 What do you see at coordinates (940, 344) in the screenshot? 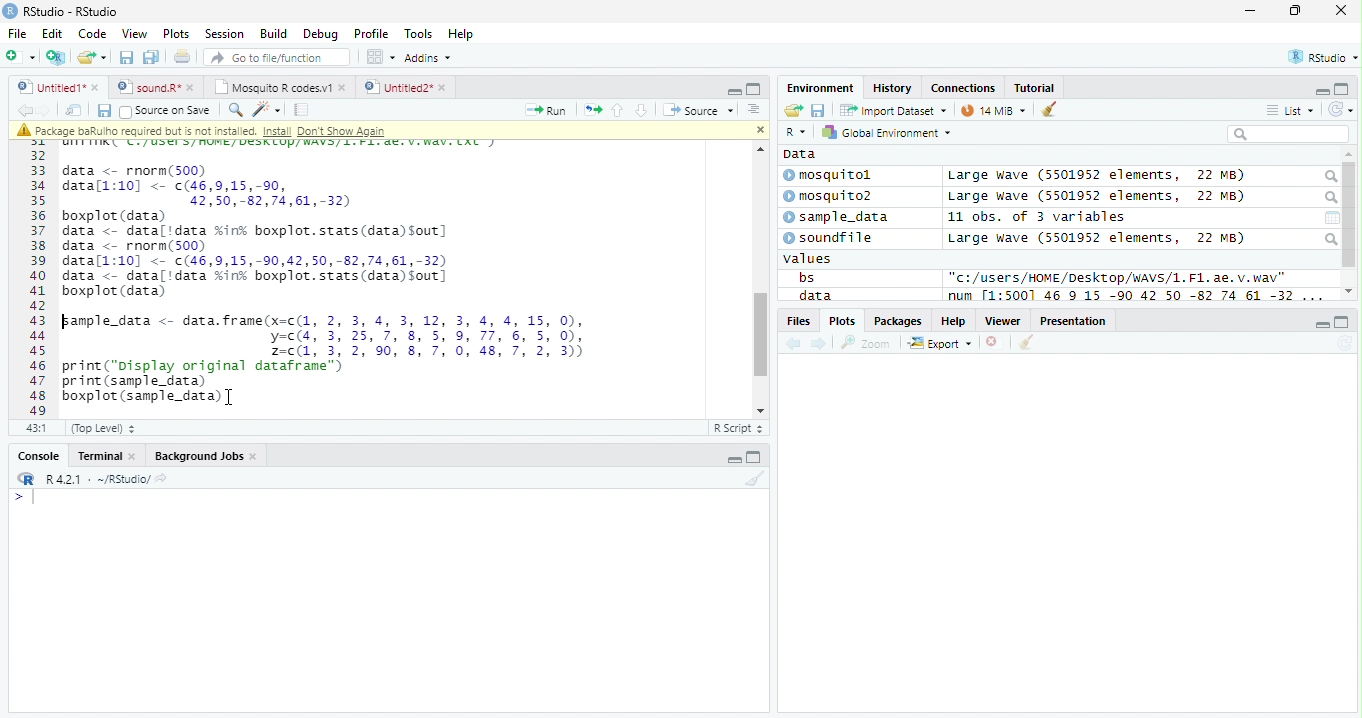
I see `Export` at bounding box center [940, 344].